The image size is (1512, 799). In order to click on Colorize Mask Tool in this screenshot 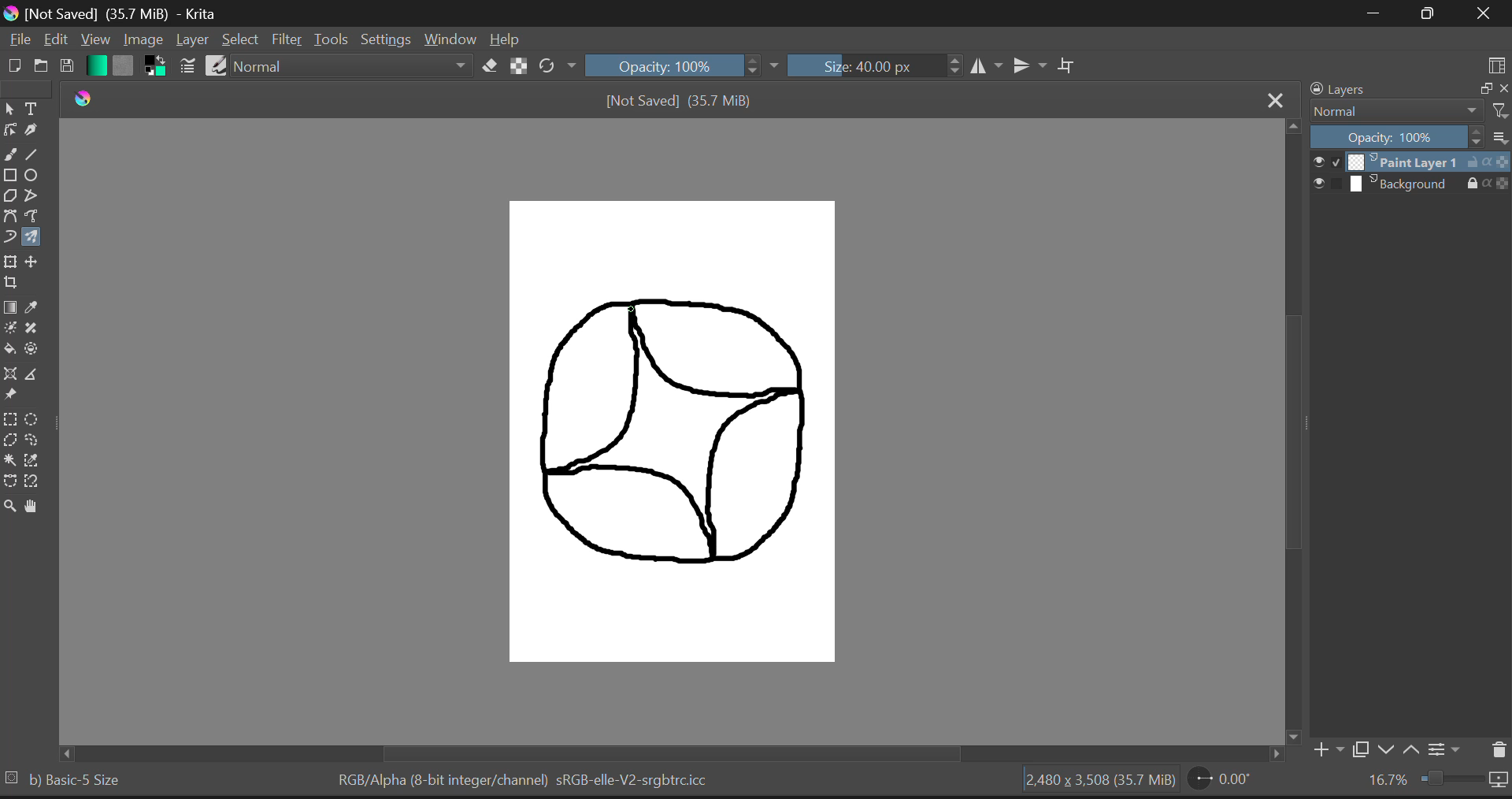, I will do `click(9, 330)`.